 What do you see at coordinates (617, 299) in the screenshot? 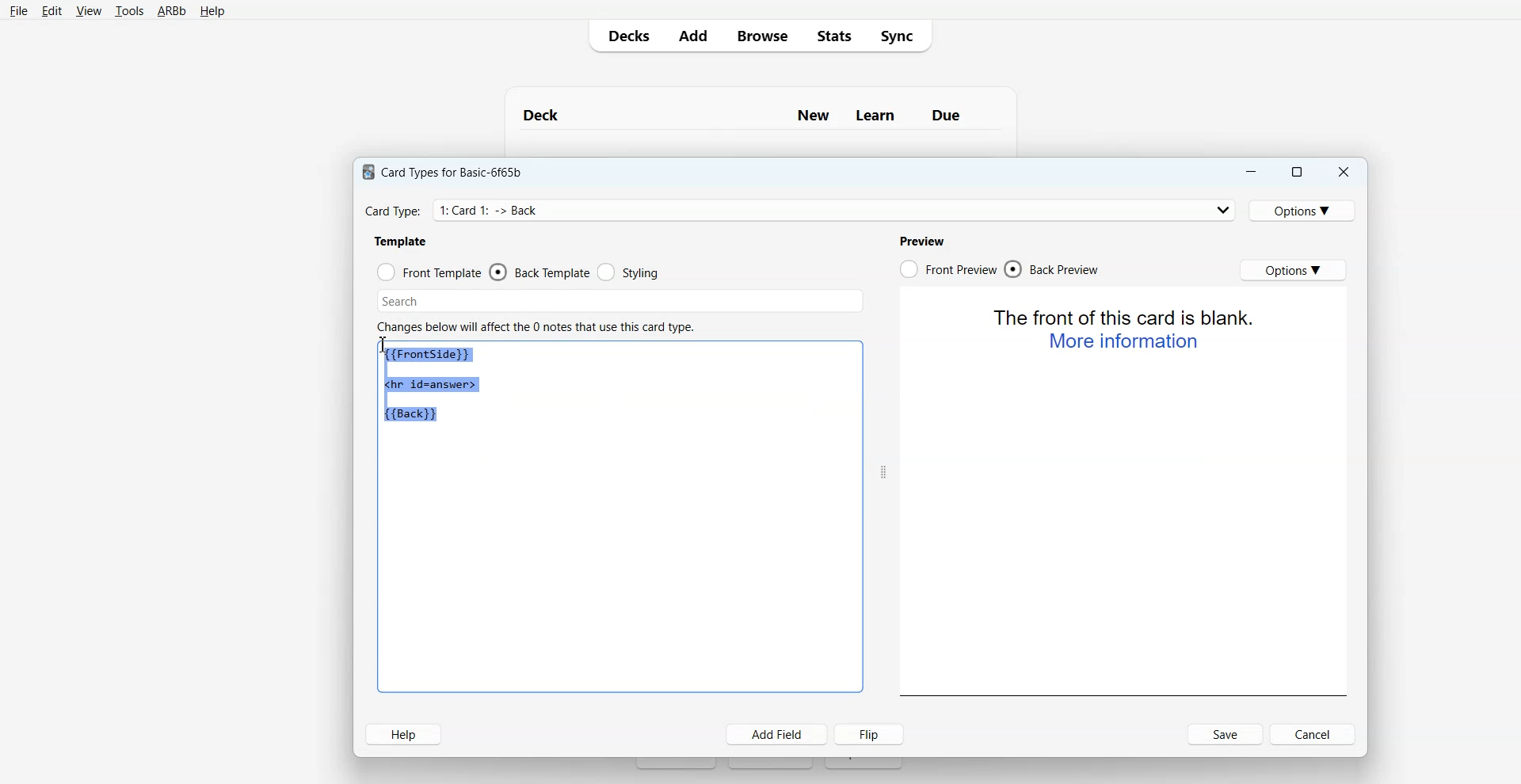
I see `Search Bar` at bounding box center [617, 299].